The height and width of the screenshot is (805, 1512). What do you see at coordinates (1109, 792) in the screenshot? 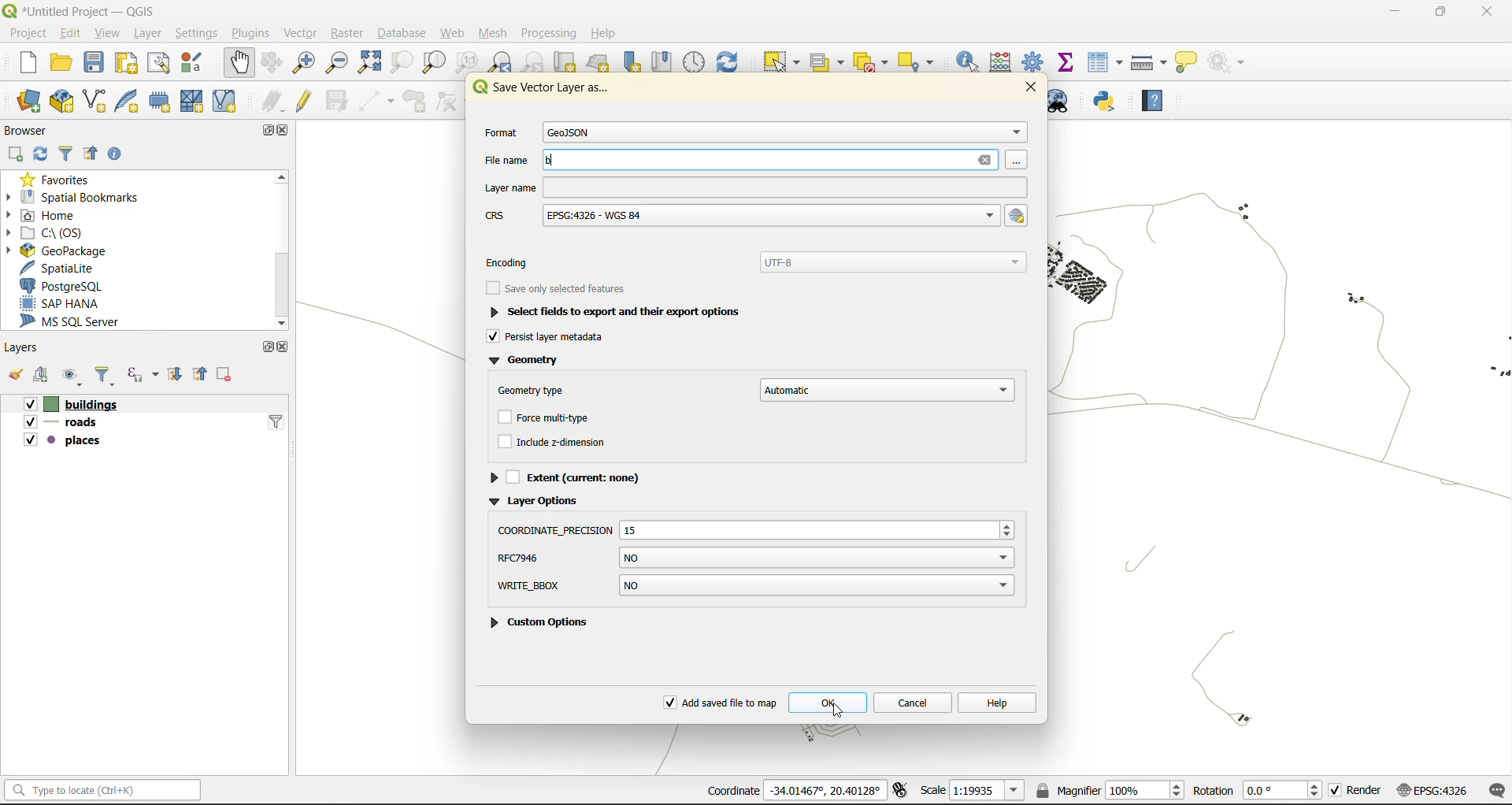
I see `magnifier` at bounding box center [1109, 792].